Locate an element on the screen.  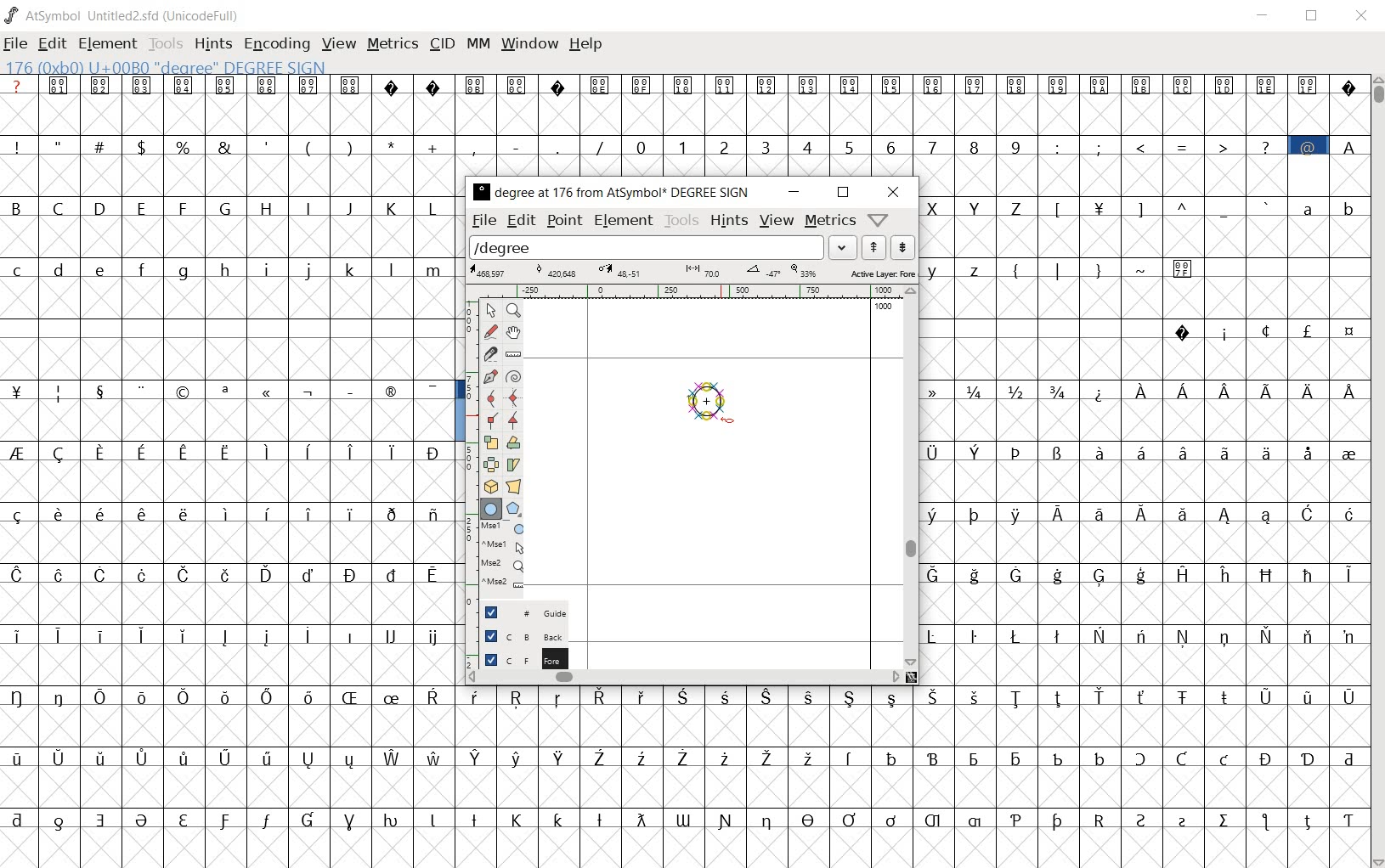
empty glyph slots is located at coordinates (232, 358).